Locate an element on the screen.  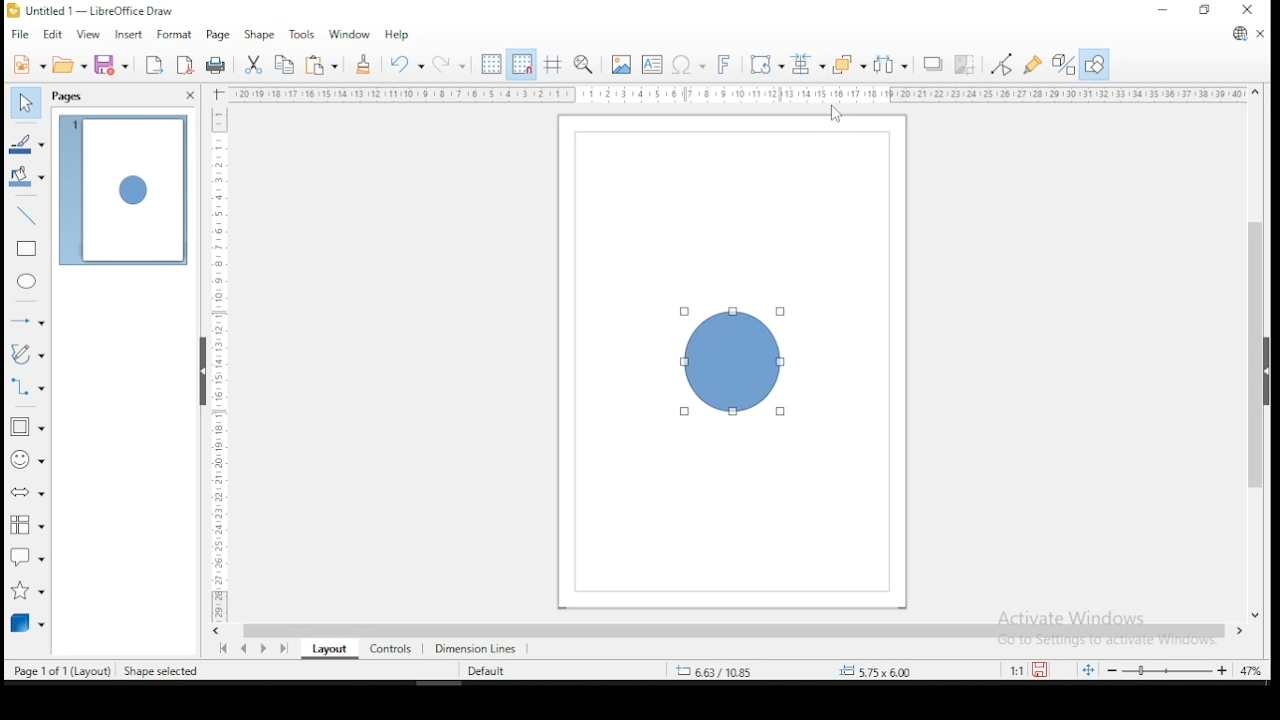
simple shapes is located at coordinates (28, 427).